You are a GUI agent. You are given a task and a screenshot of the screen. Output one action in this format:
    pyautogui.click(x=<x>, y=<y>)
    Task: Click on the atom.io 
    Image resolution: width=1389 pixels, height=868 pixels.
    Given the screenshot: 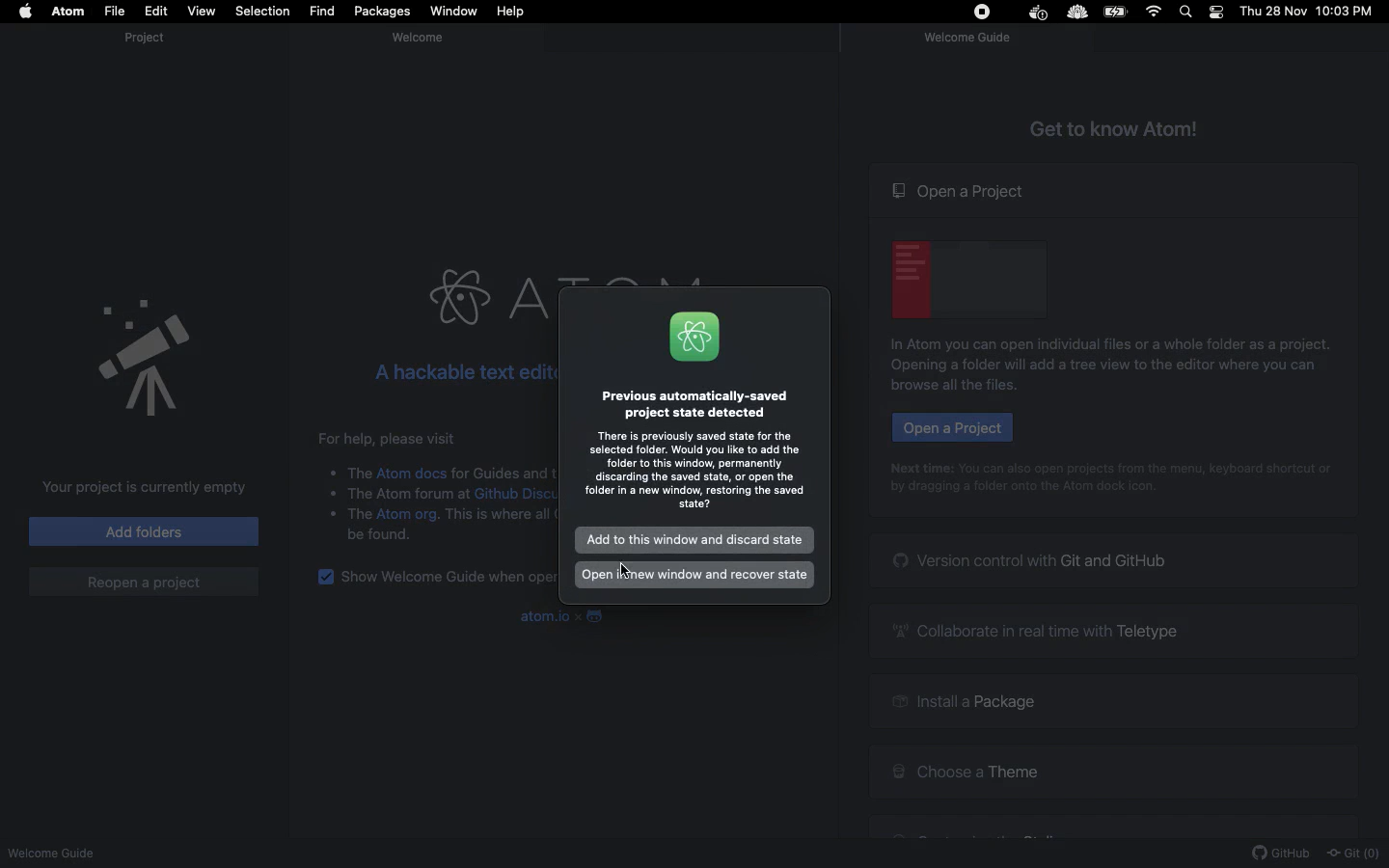 What is the action you would take?
    pyautogui.click(x=542, y=616)
    